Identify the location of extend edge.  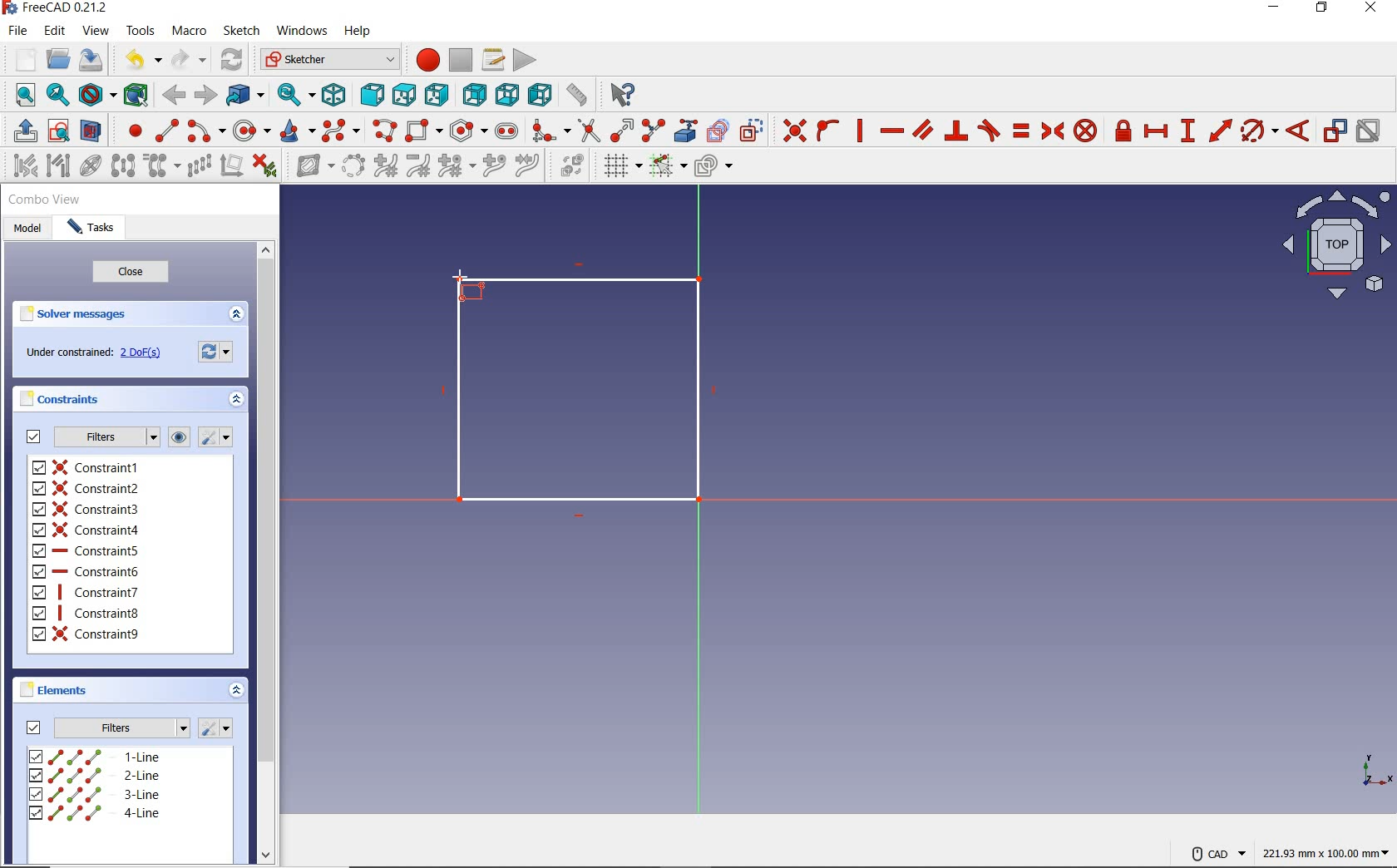
(623, 131).